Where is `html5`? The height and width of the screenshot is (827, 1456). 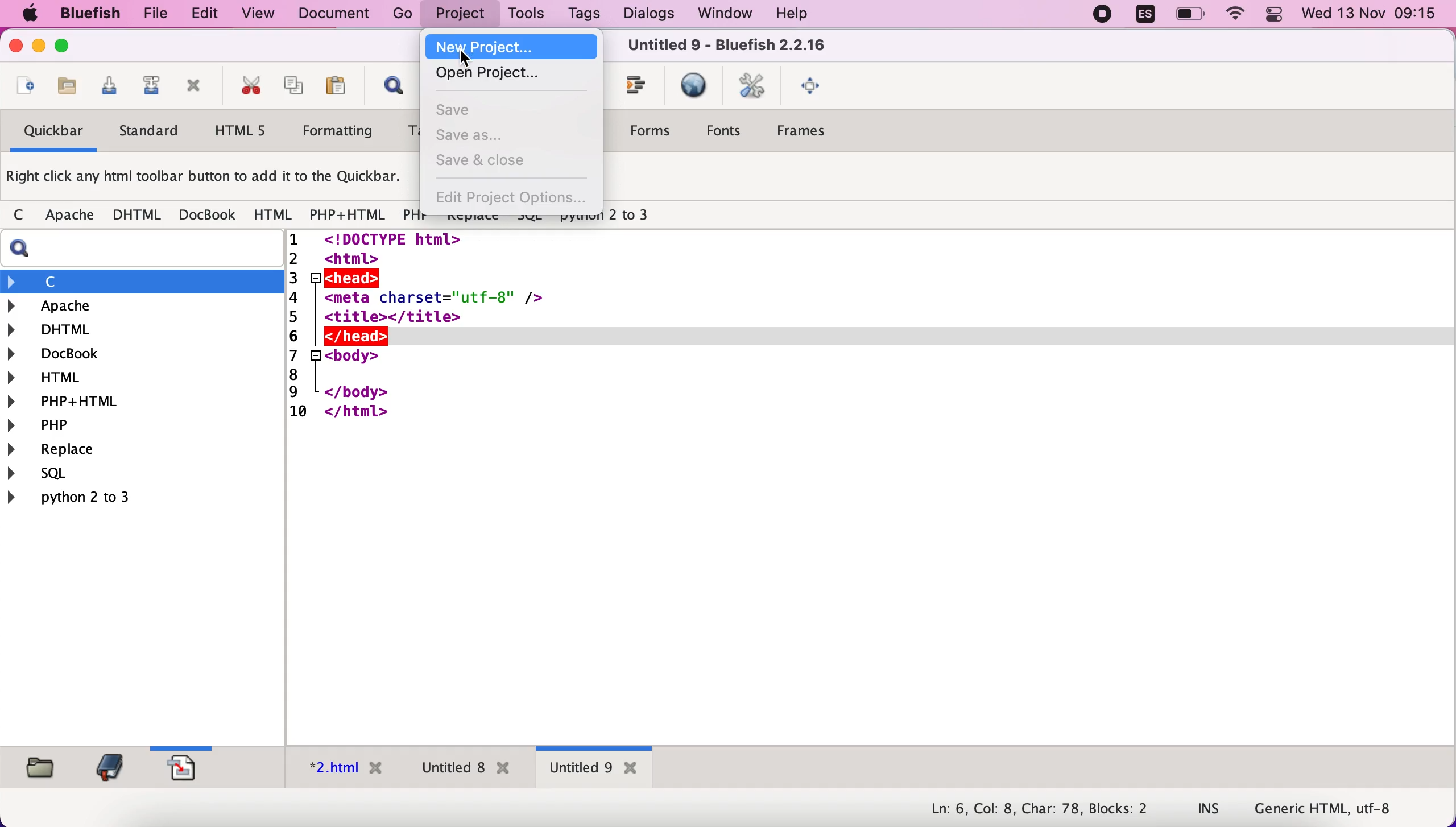
html5 is located at coordinates (243, 132).